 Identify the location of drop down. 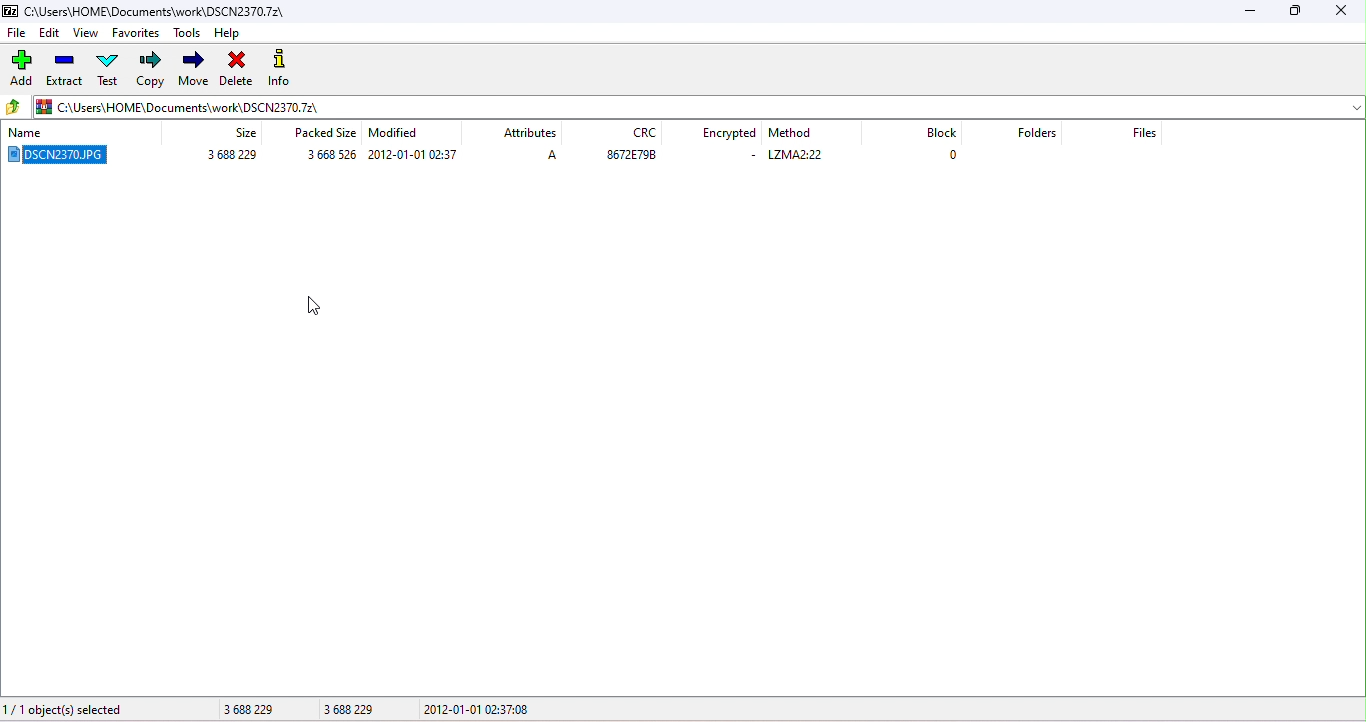
(1355, 107).